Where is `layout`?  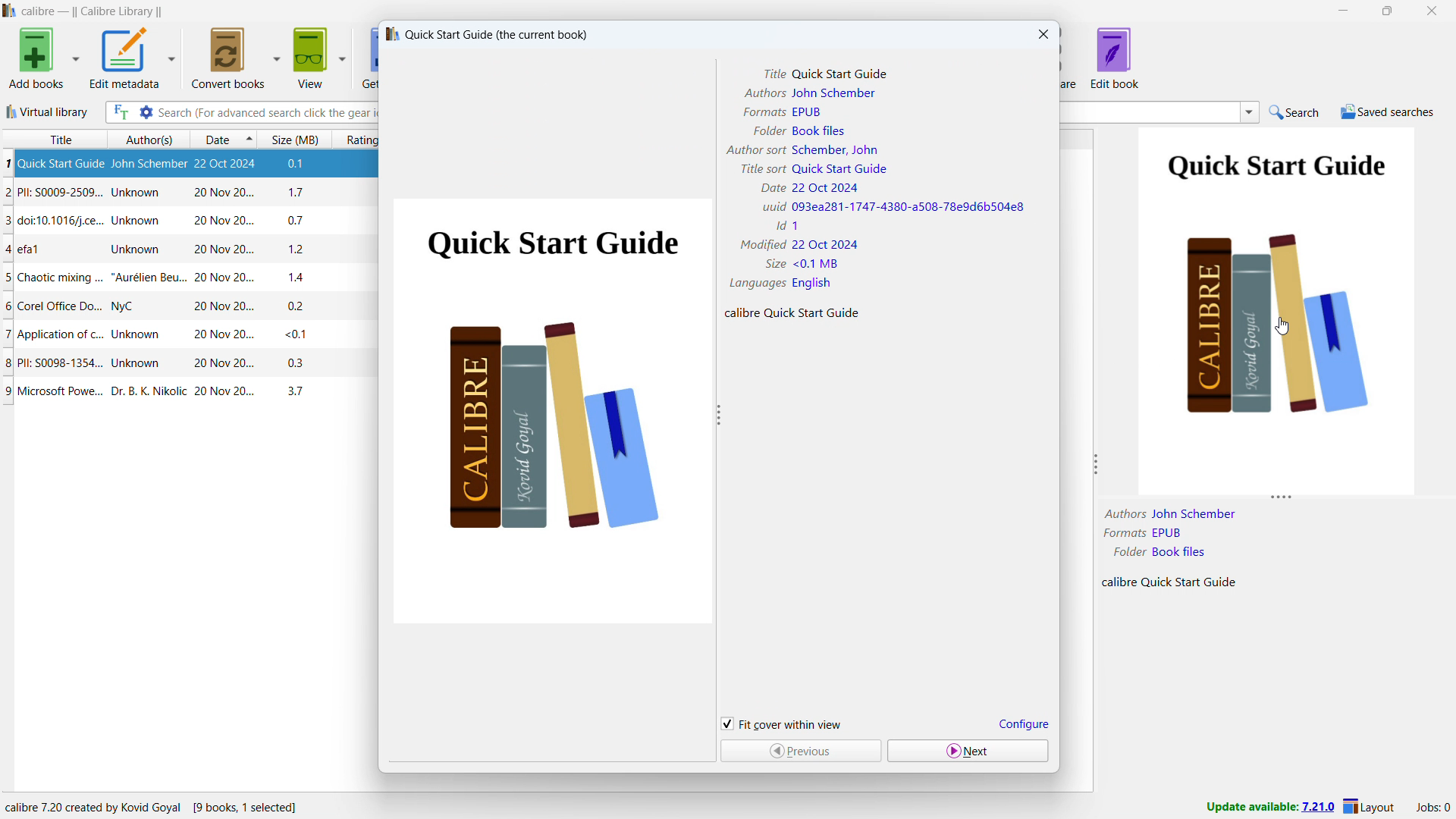
layout is located at coordinates (1369, 808).